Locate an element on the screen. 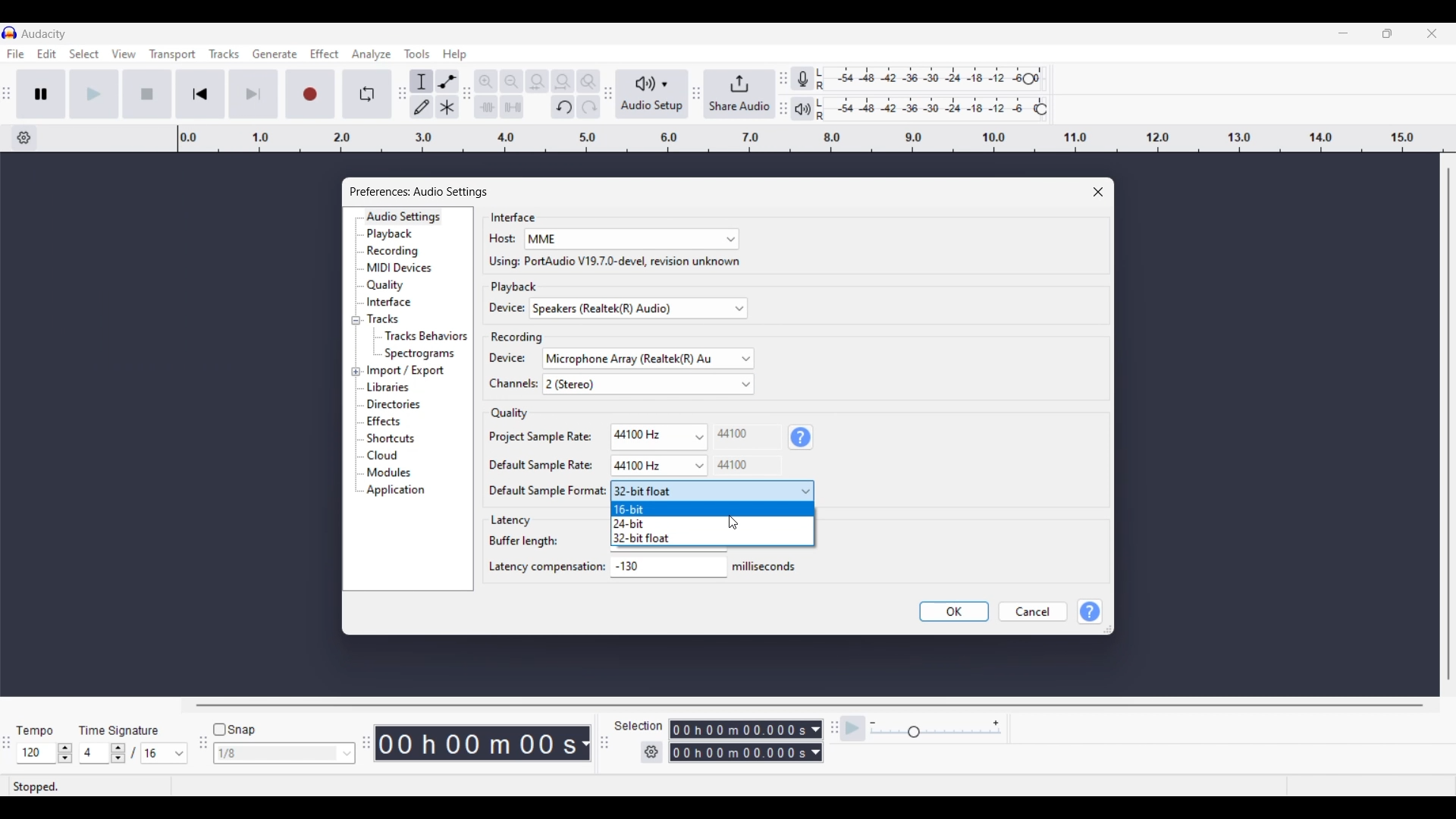  Effect menu is located at coordinates (325, 54).